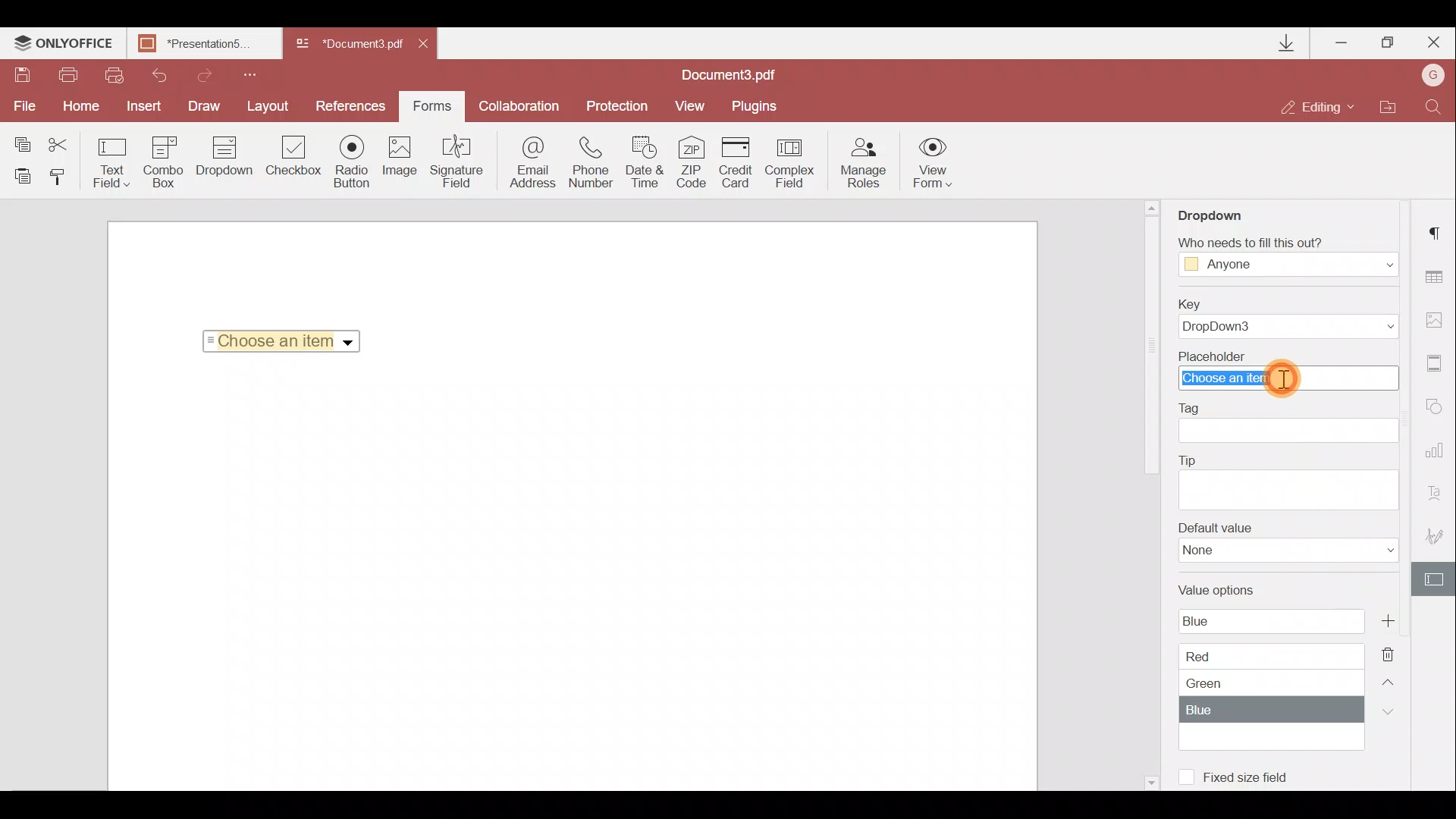 The height and width of the screenshot is (819, 1456). What do you see at coordinates (593, 162) in the screenshot?
I see `Phone number` at bounding box center [593, 162].